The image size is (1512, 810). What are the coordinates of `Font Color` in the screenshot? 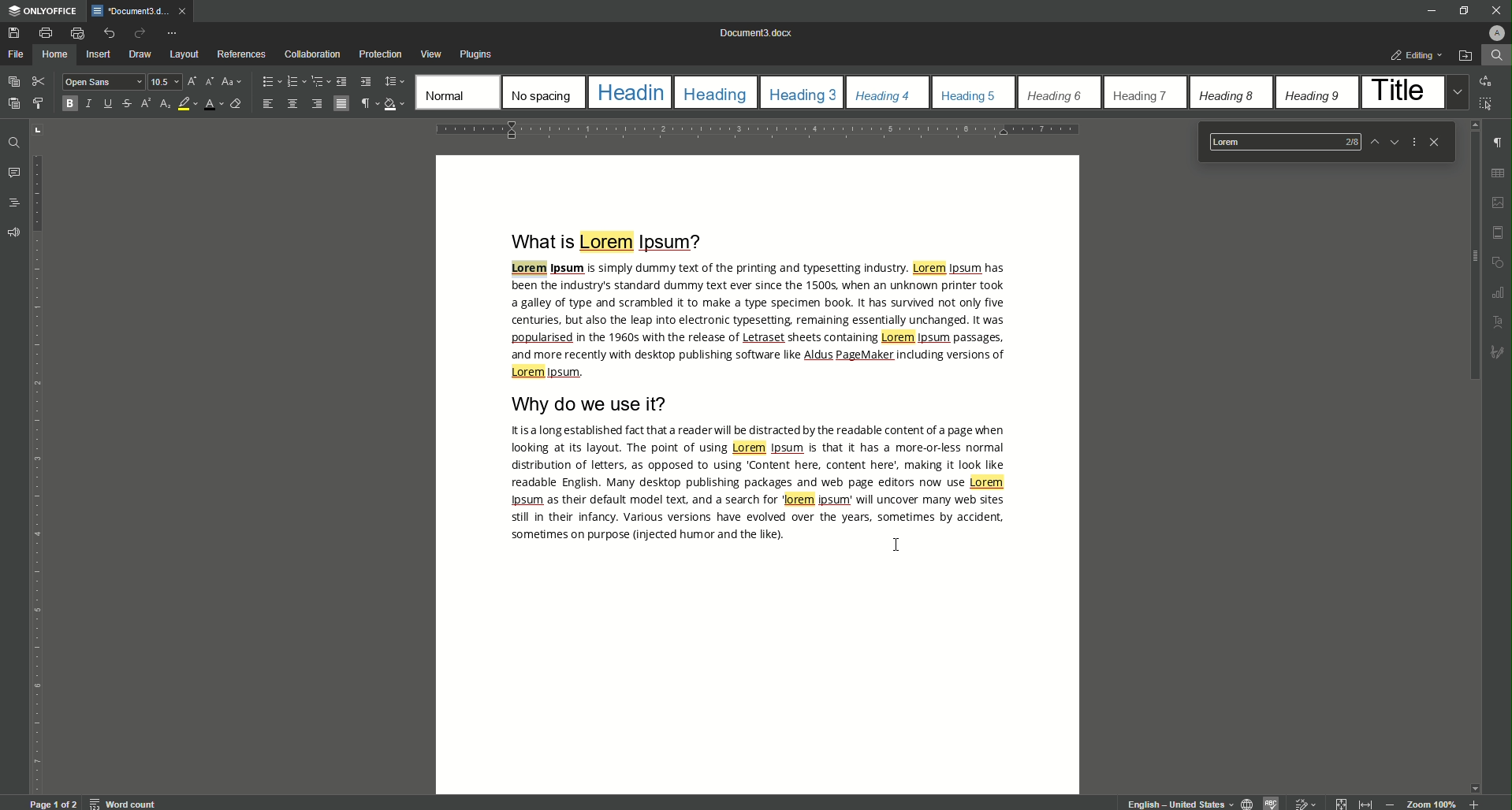 It's located at (209, 104).